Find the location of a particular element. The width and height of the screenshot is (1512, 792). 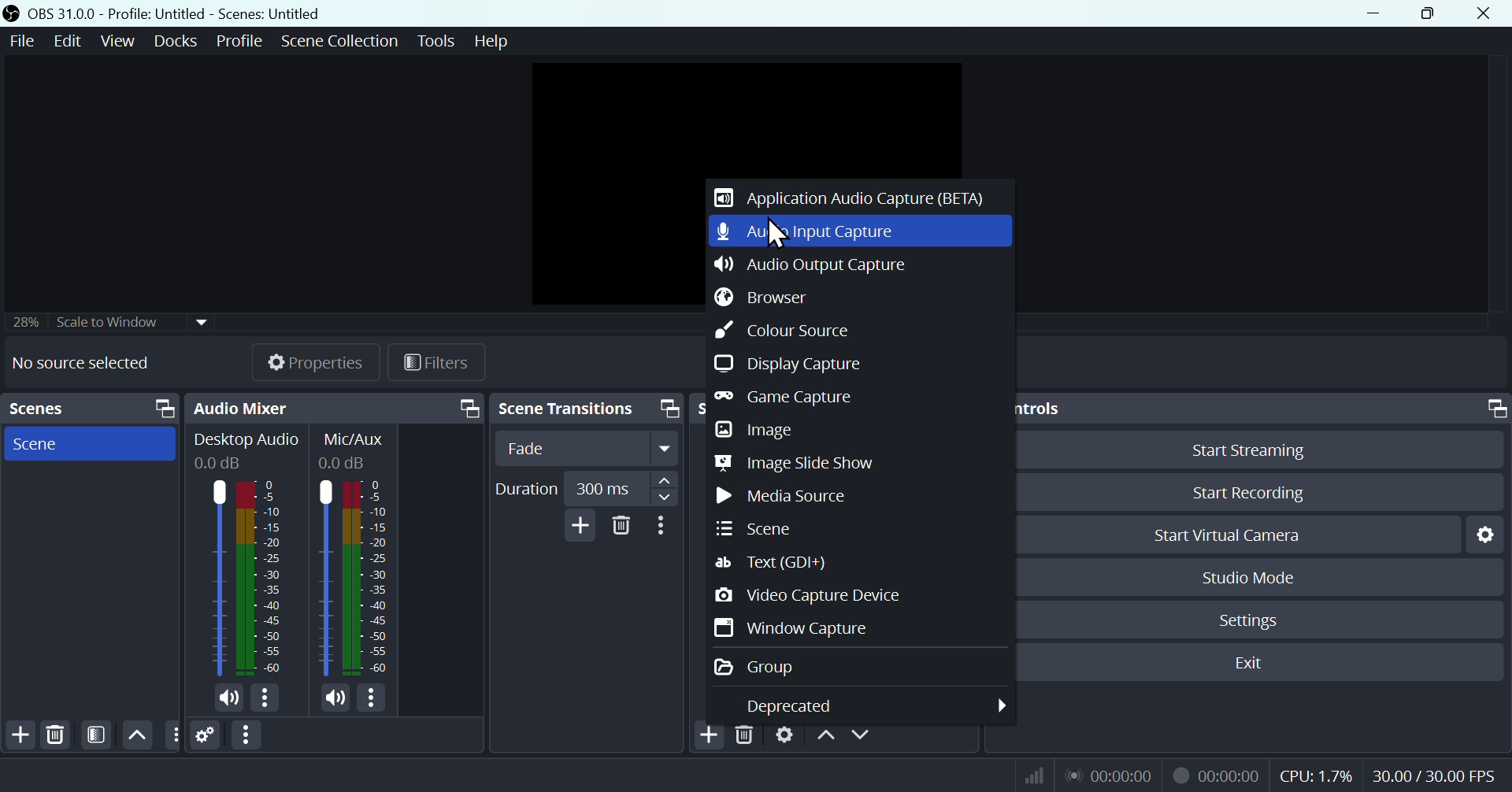

Duration is located at coordinates (584, 489).